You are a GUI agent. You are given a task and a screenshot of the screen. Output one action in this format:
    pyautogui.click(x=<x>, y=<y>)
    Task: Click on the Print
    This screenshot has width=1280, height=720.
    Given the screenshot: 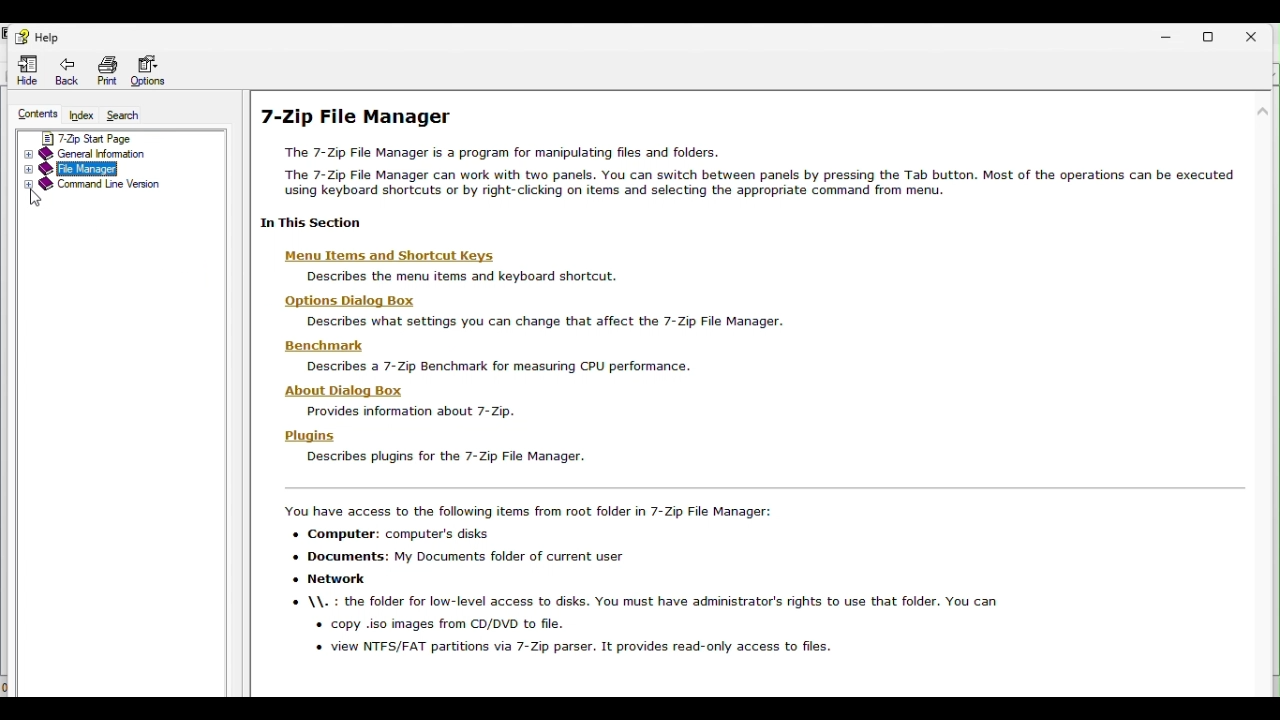 What is the action you would take?
    pyautogui.click(x=105, y=73)
    